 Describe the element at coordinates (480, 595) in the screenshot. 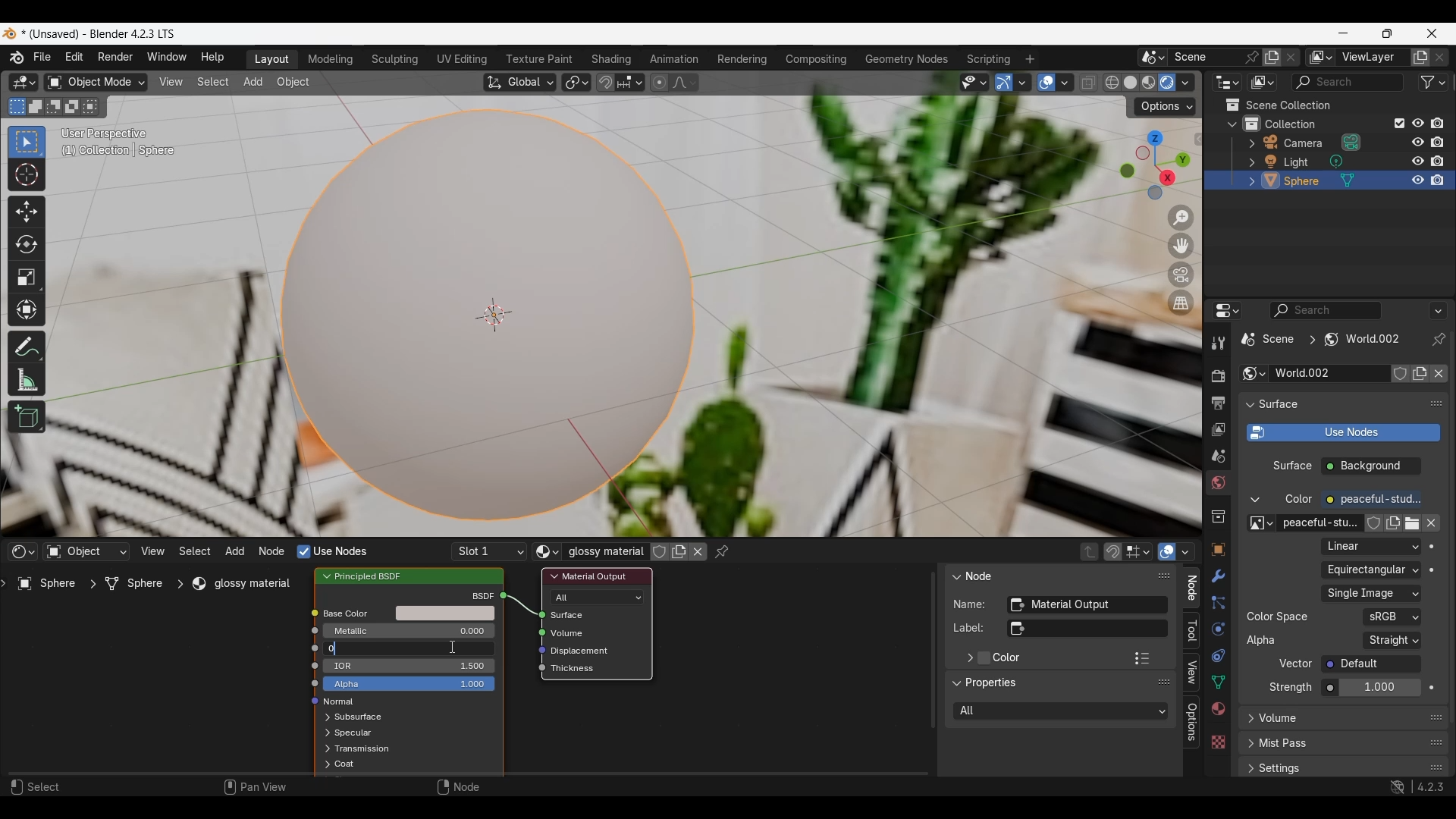

I see `bscf` at that location.